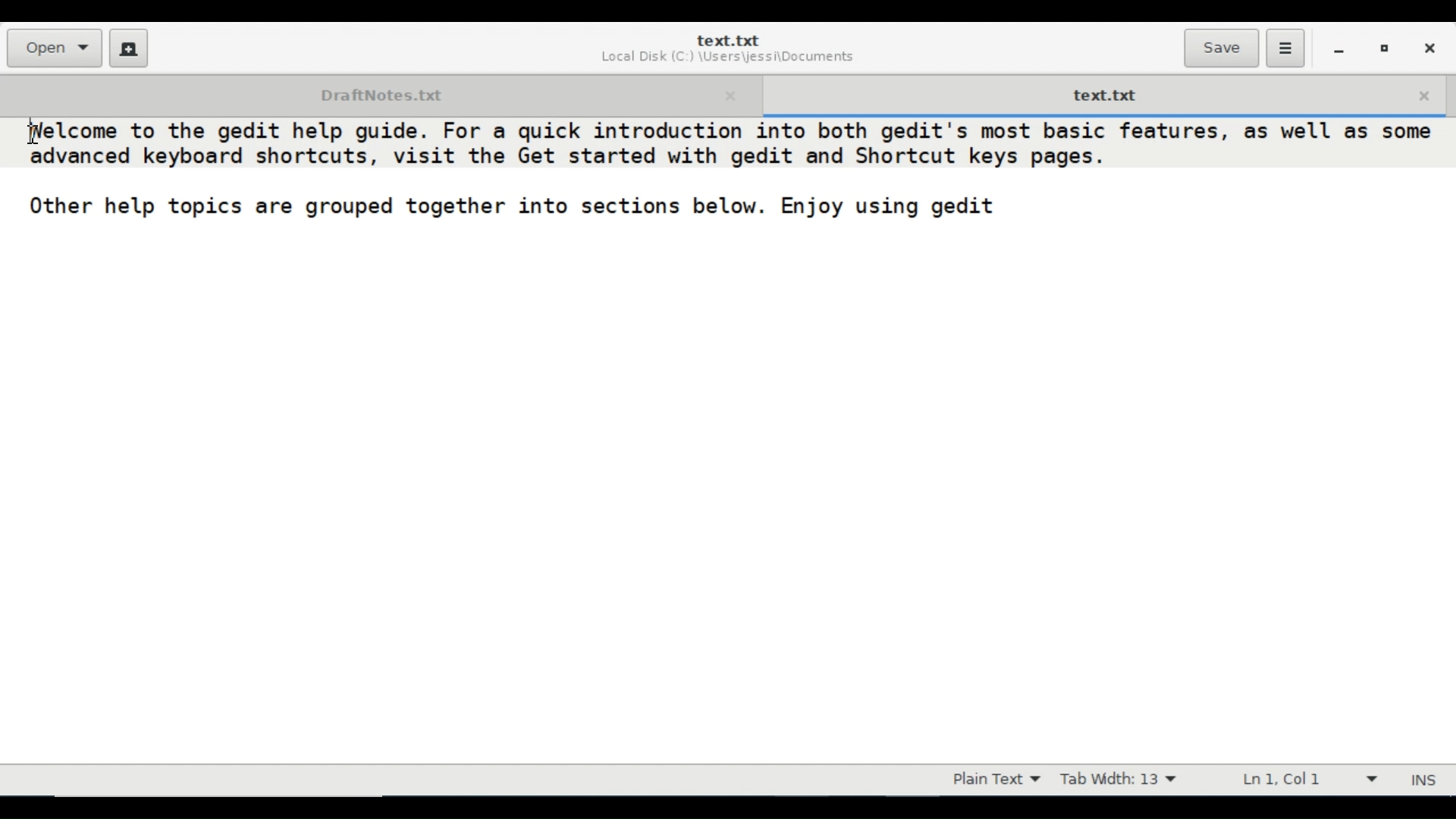  Describe the element at coordinates (1385, 47) in the screenshot. I see `Restore` at that location.